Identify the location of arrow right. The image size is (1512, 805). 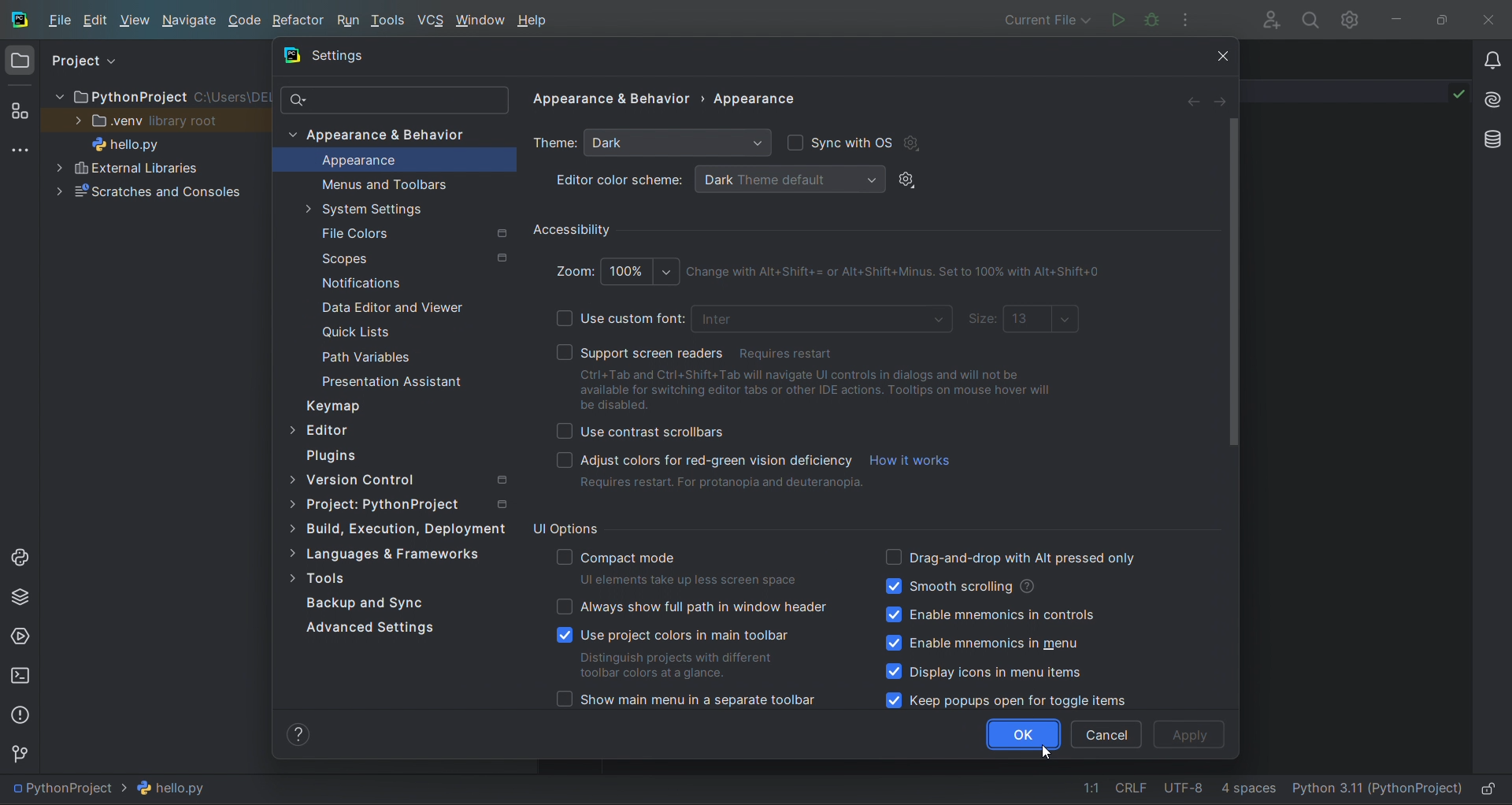
(1221, 101).